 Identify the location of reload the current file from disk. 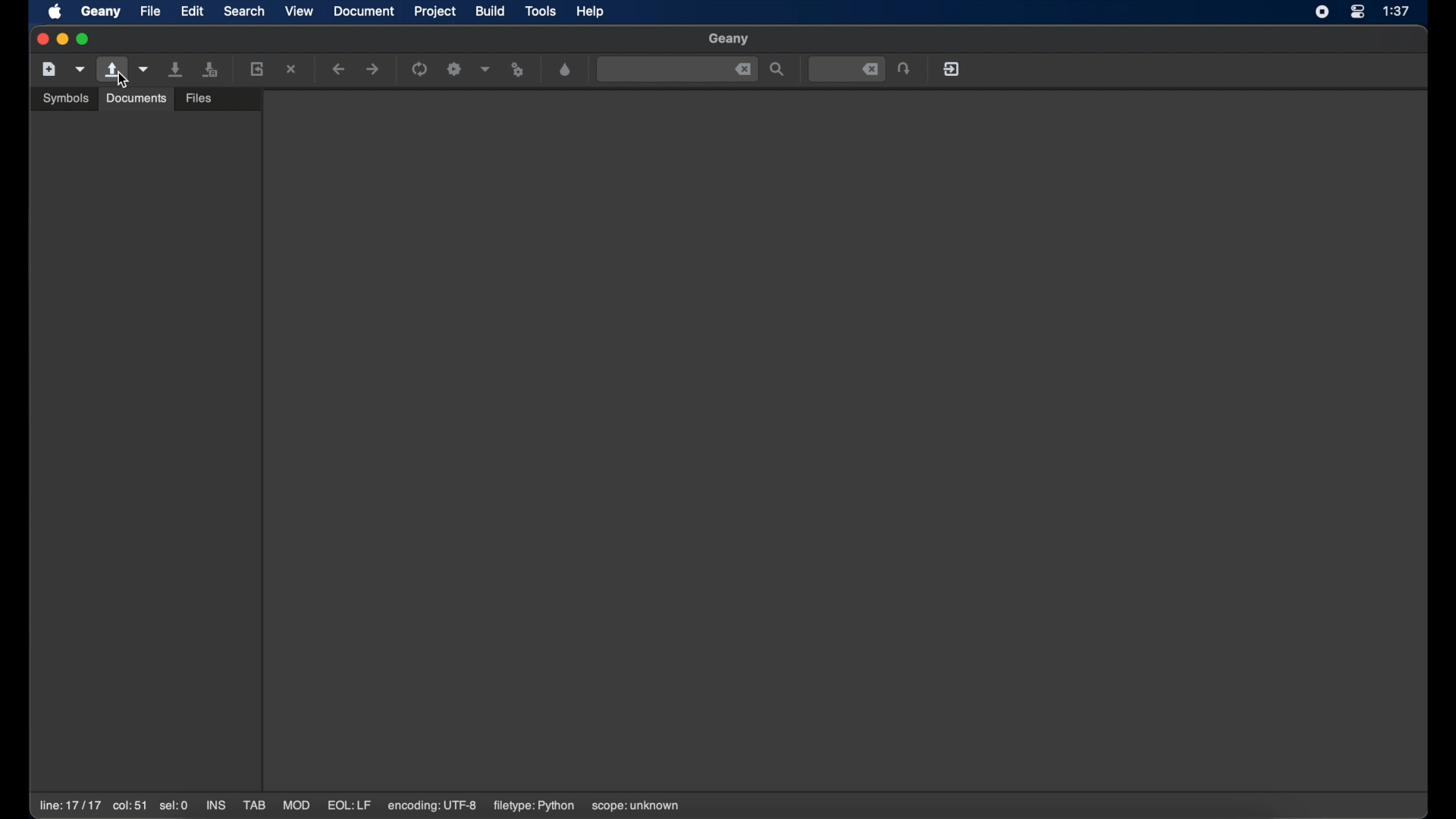
(258, 68).